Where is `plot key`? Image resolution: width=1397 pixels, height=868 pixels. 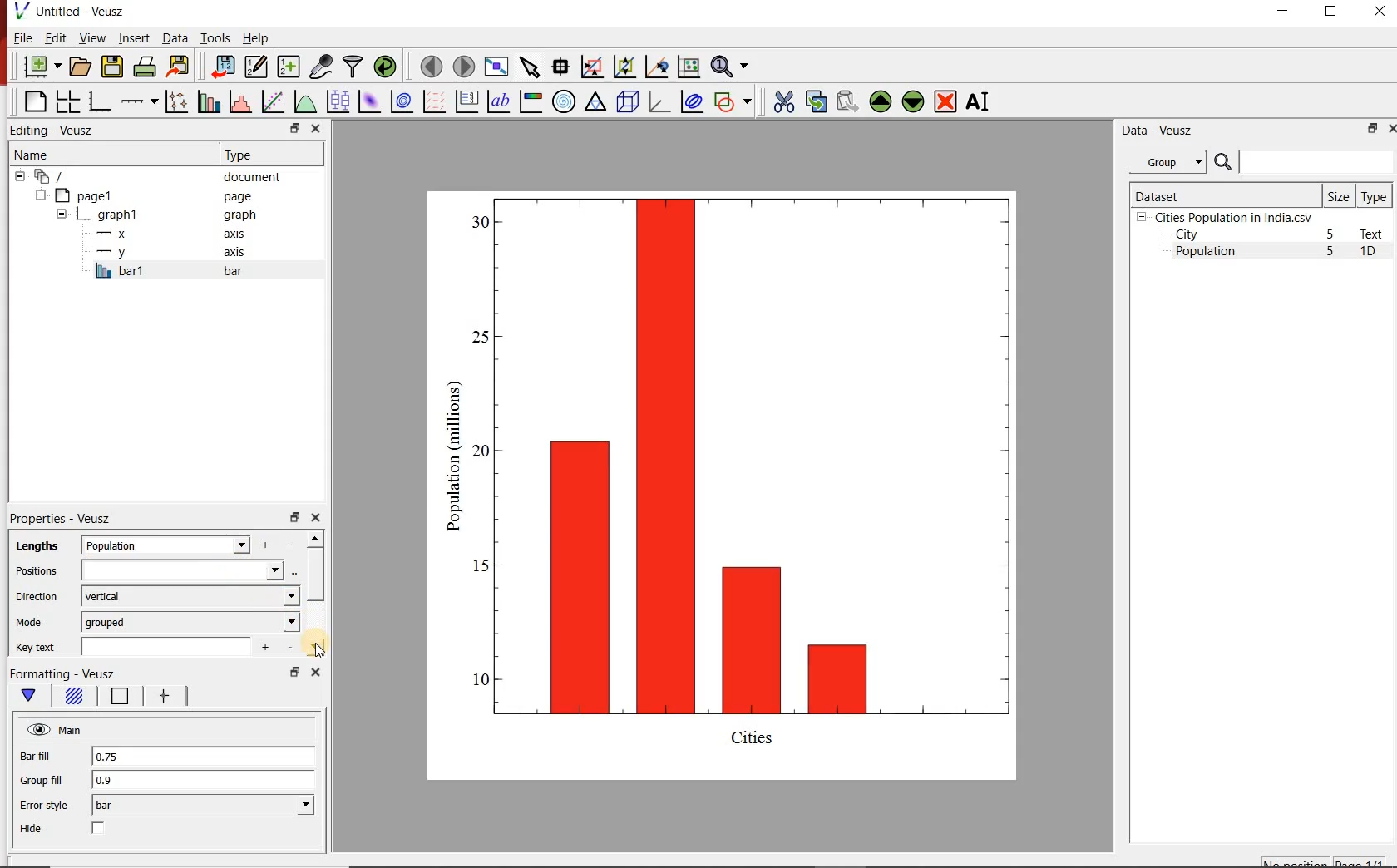 plot key is located at coordinates (466, 101).